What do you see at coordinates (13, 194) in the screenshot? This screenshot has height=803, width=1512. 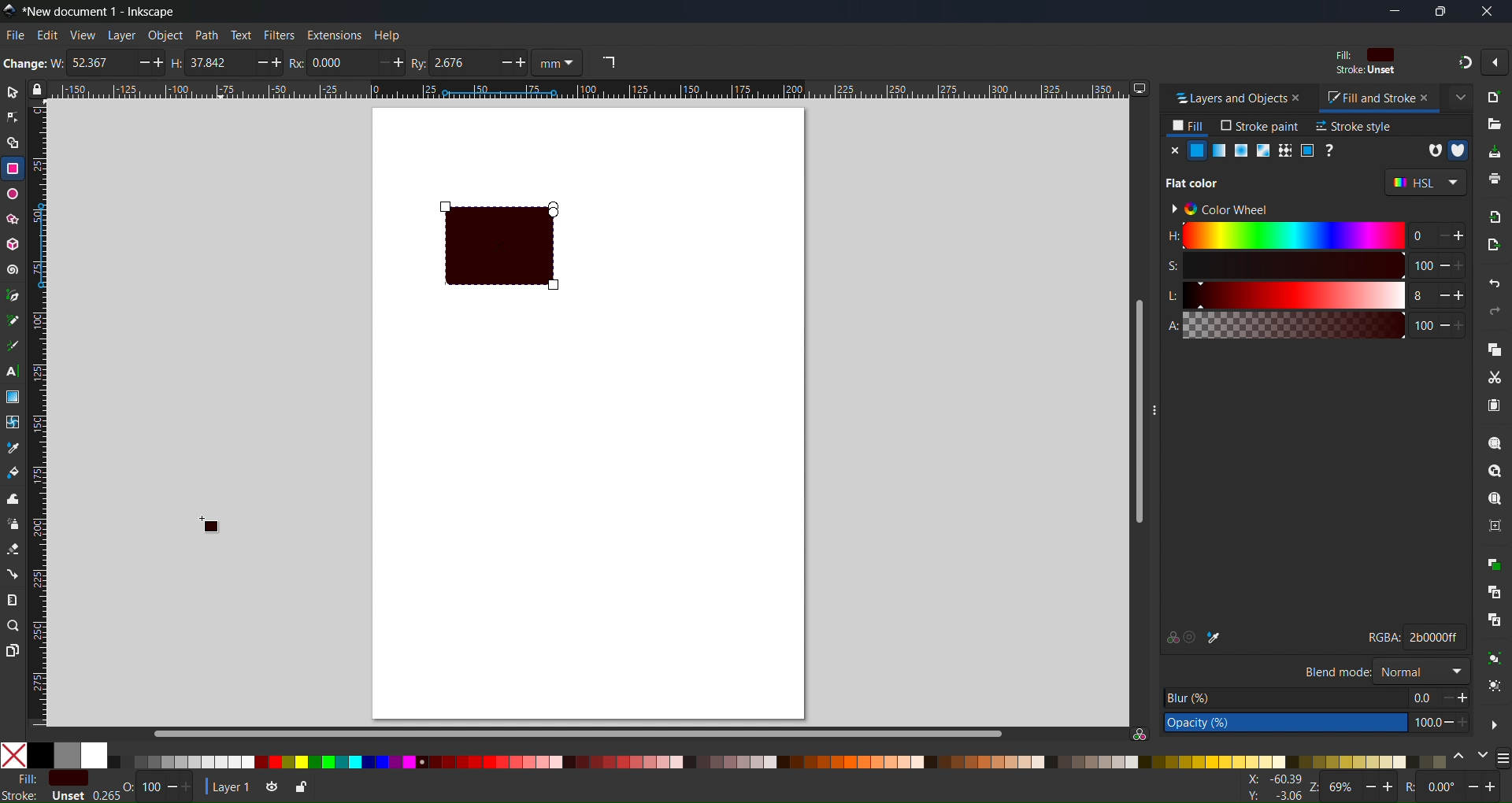 I see `Ellipse/ arc tool` at bounding box center [13, 194].